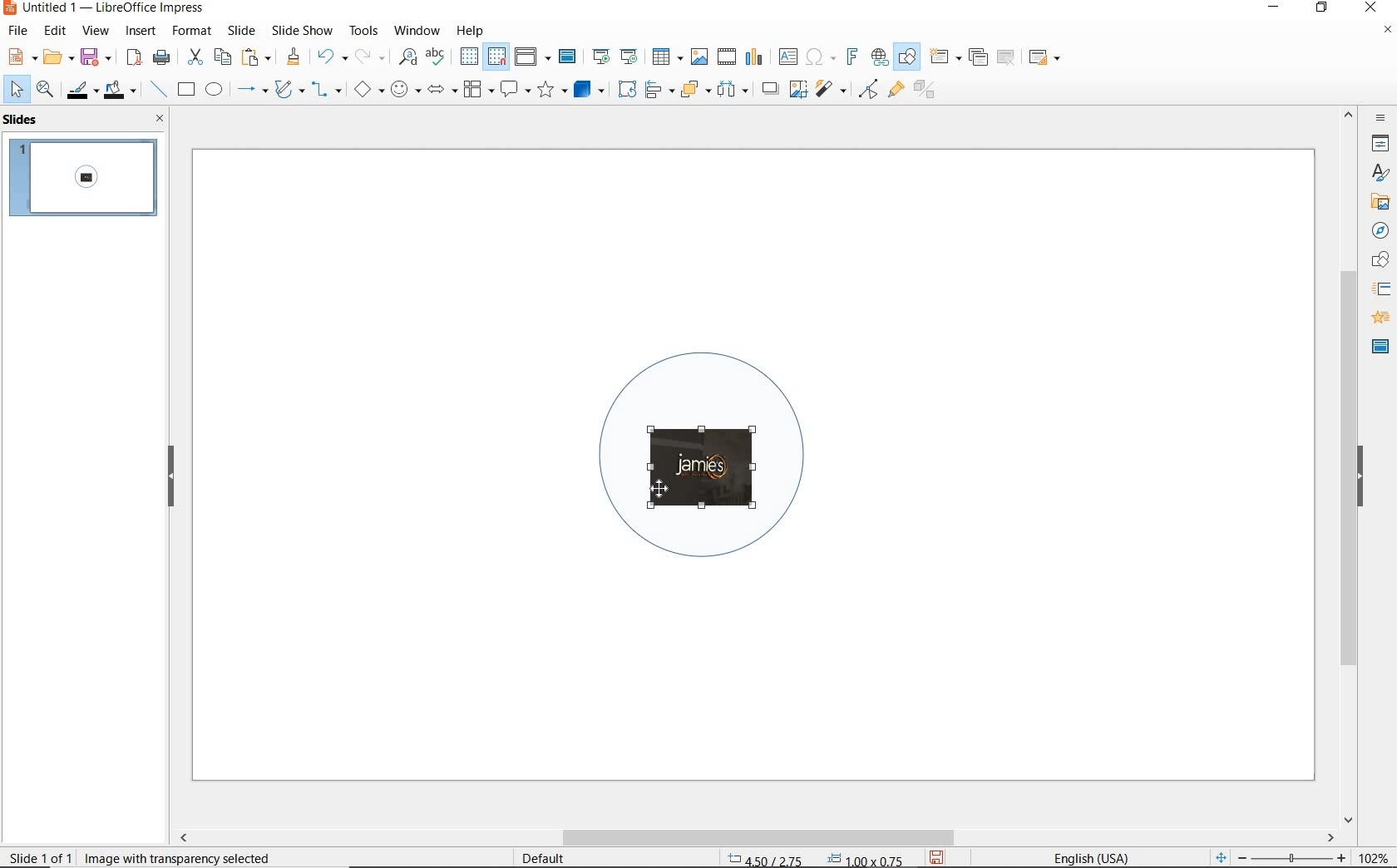 This screenshot has height=868, width=1397. I want to click on insert, so click(141, 32).